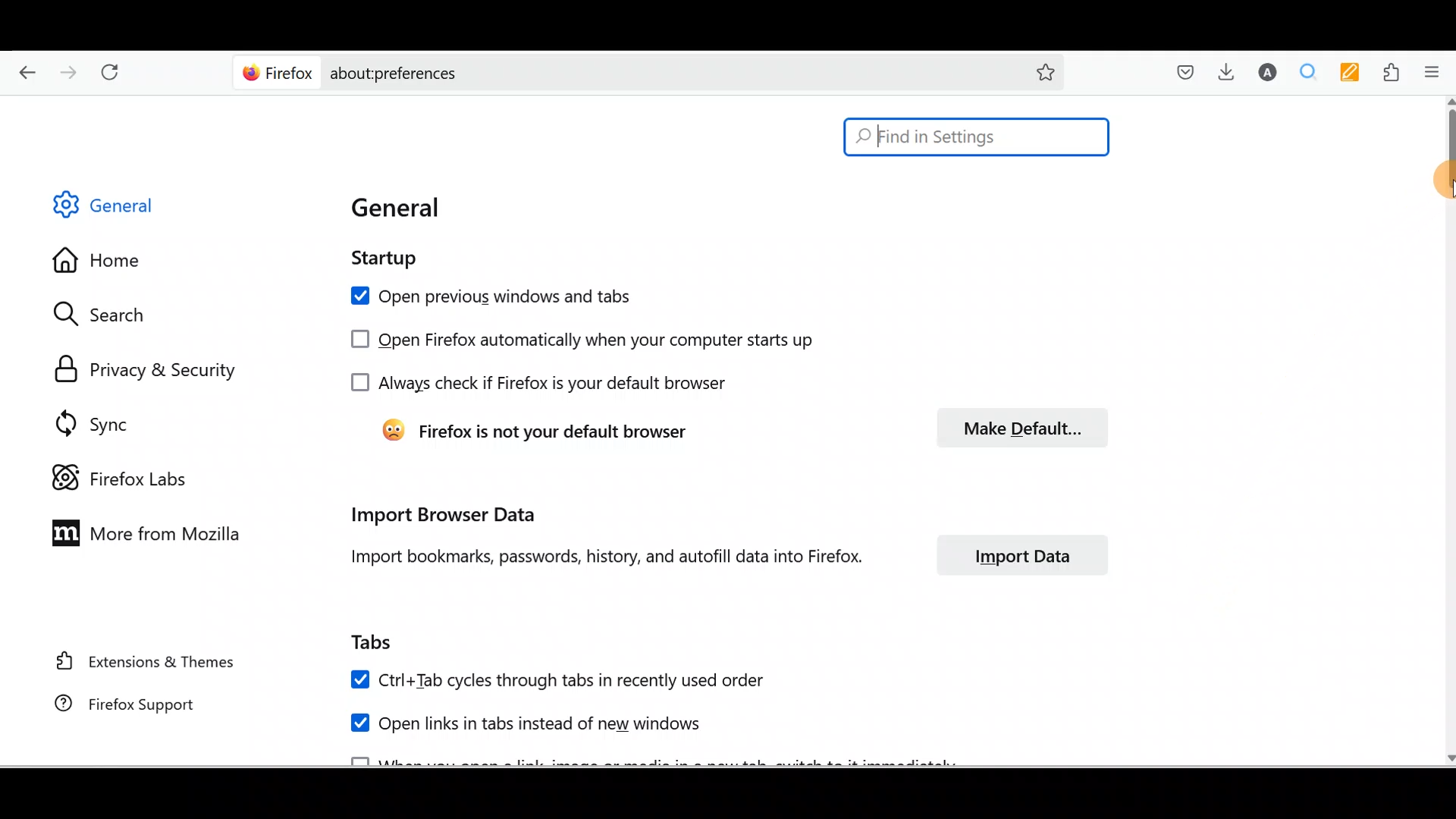 This screenshot has width=1456, height=819. What do you see at coordinates (107, 314) in the screenshot?
I see `Search` at bounding box center [107, 314].